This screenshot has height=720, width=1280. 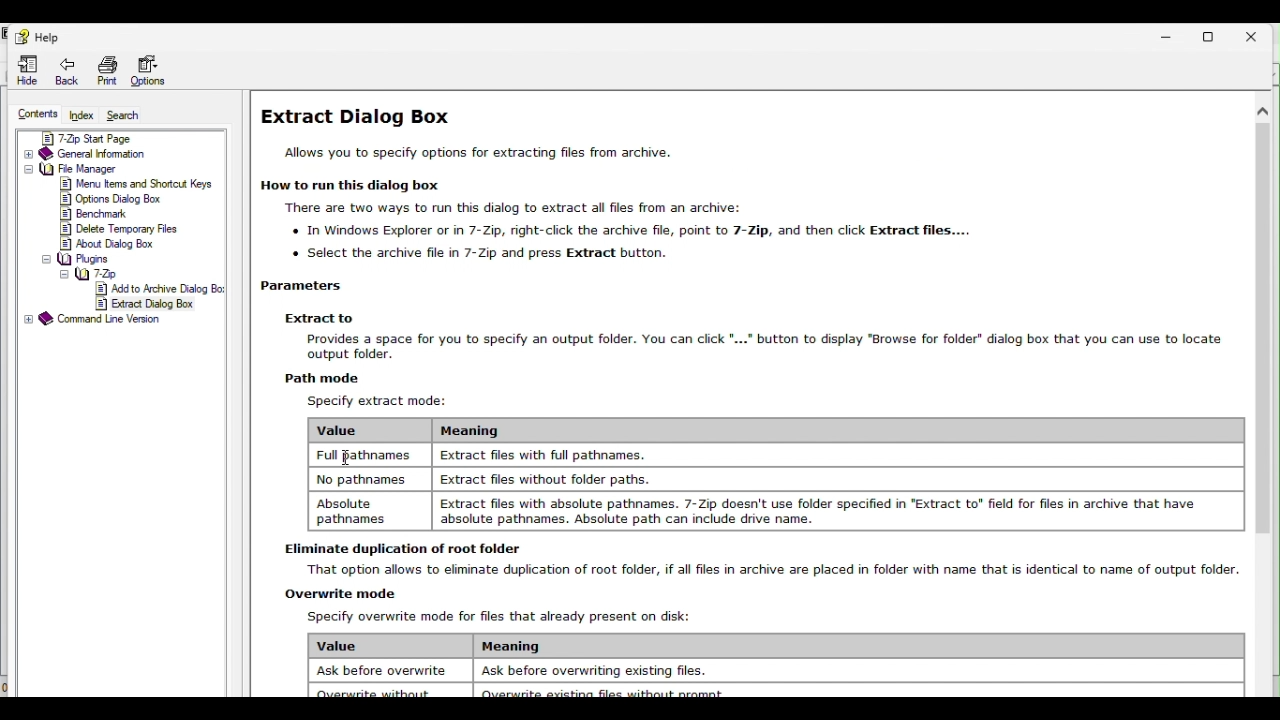 What do you see at coordinates (1263, 396) in the screenshot?
I see `Scrollbar` at bounding box center [1263, 396].